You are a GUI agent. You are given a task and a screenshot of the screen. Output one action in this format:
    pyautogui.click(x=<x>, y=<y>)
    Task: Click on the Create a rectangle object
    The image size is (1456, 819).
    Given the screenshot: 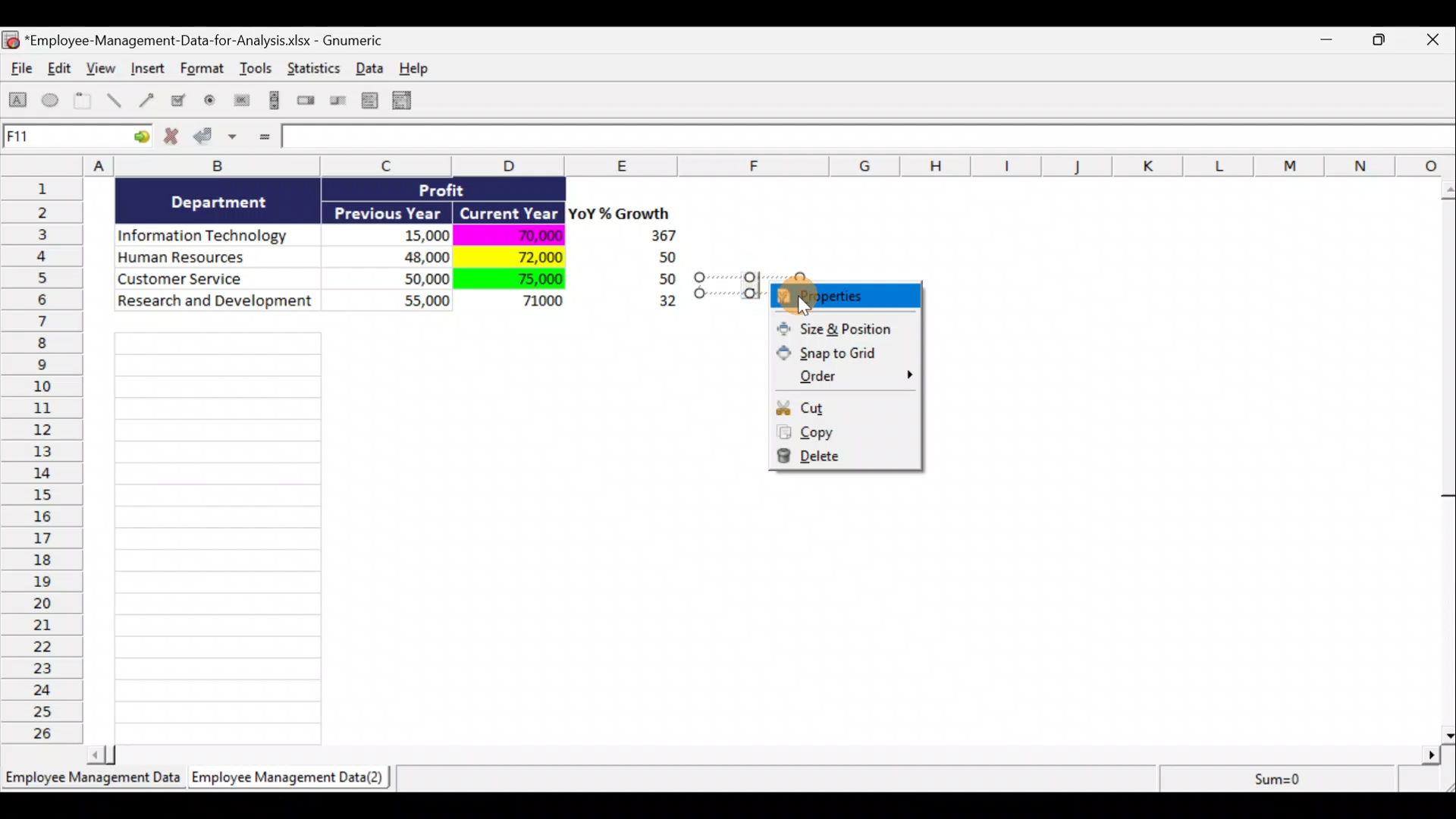 What is the action you would take?
    pyautogui.click(x=18, y=102)
    